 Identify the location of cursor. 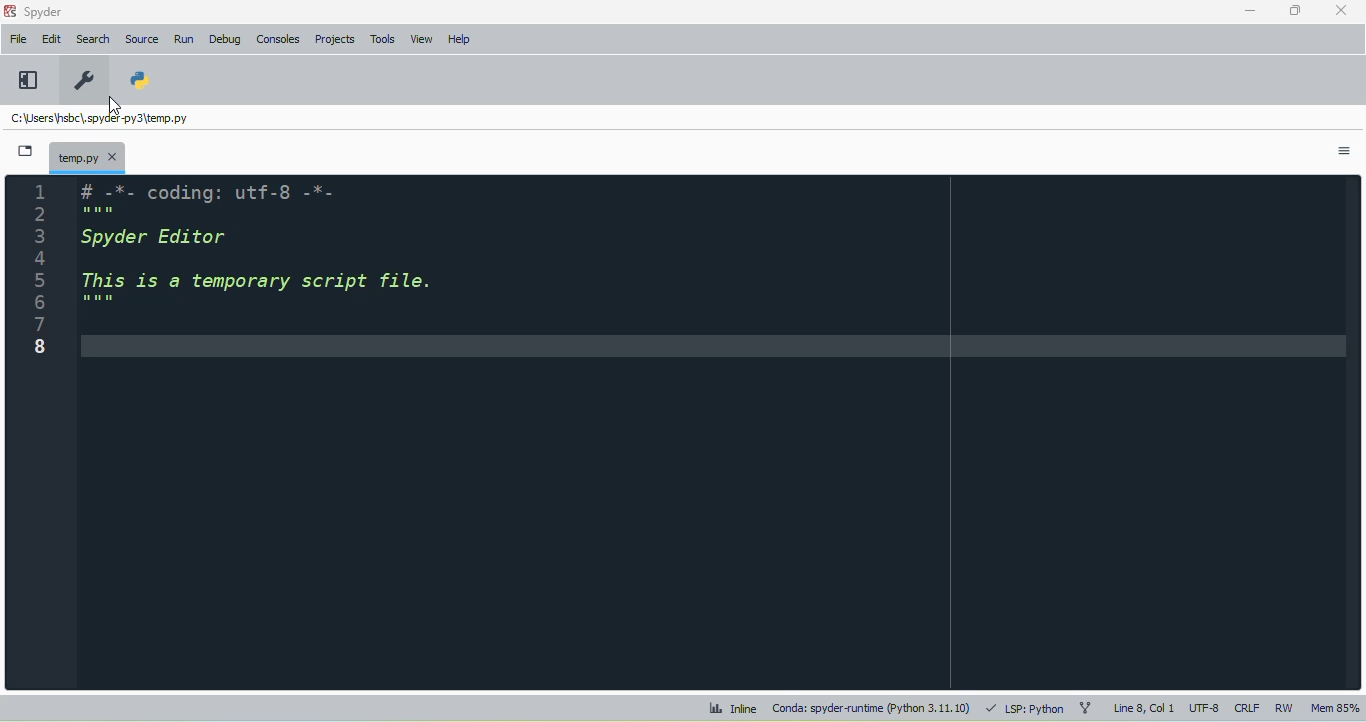
(115, 105).